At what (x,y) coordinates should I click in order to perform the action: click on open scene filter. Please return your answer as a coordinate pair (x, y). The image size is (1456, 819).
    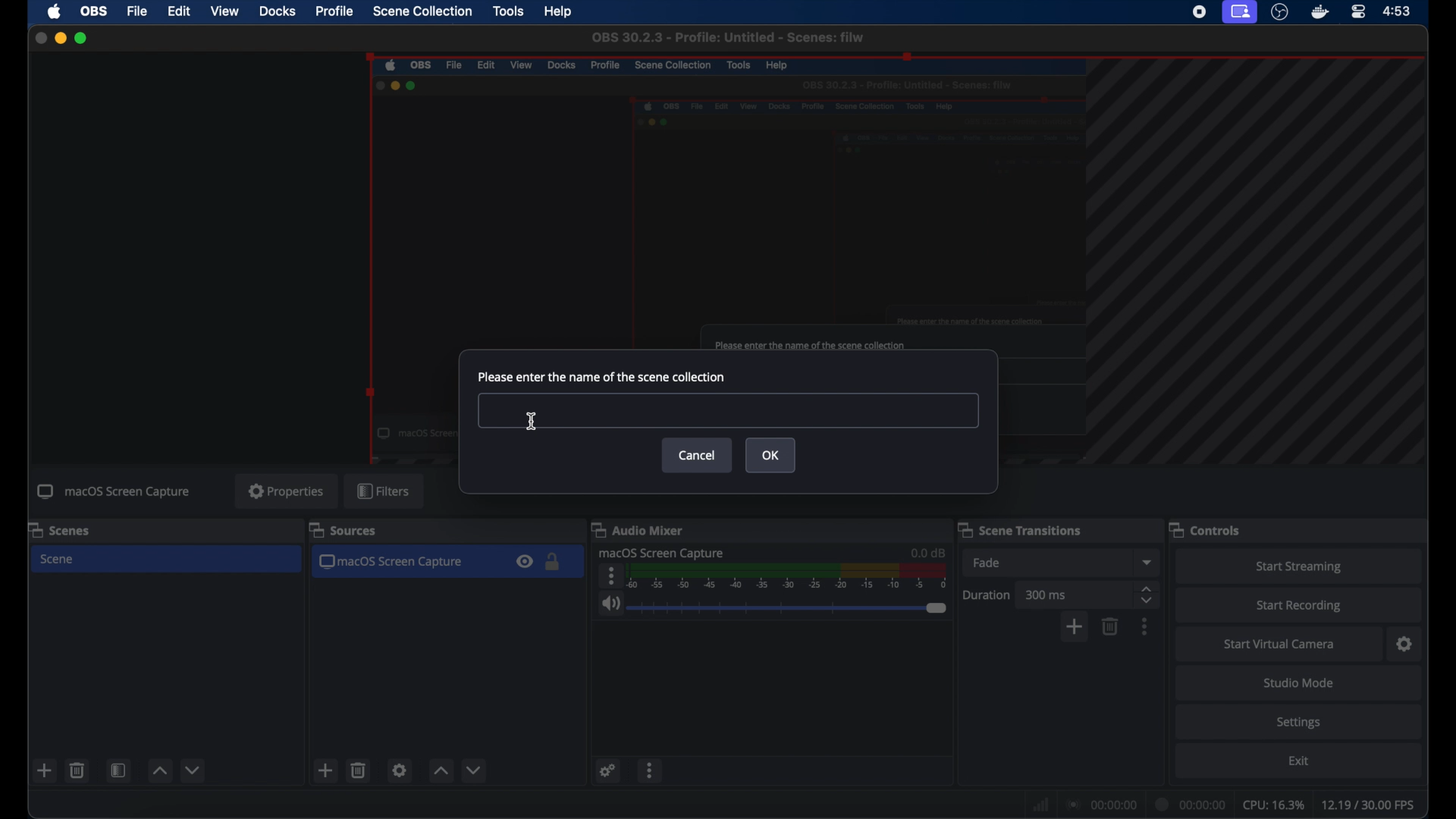
    Looking at the image, I should click on (118, 771).